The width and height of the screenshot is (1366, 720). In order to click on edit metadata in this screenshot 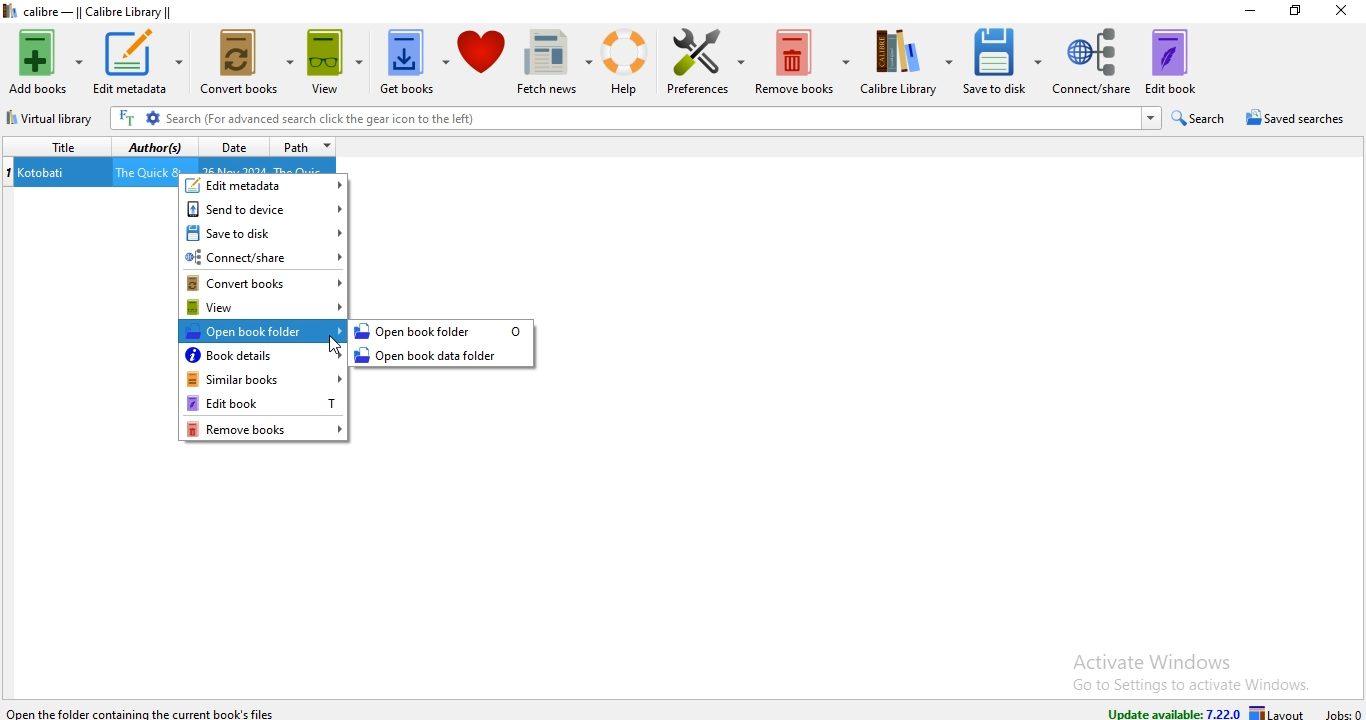, I will do `click(138, 61)`.